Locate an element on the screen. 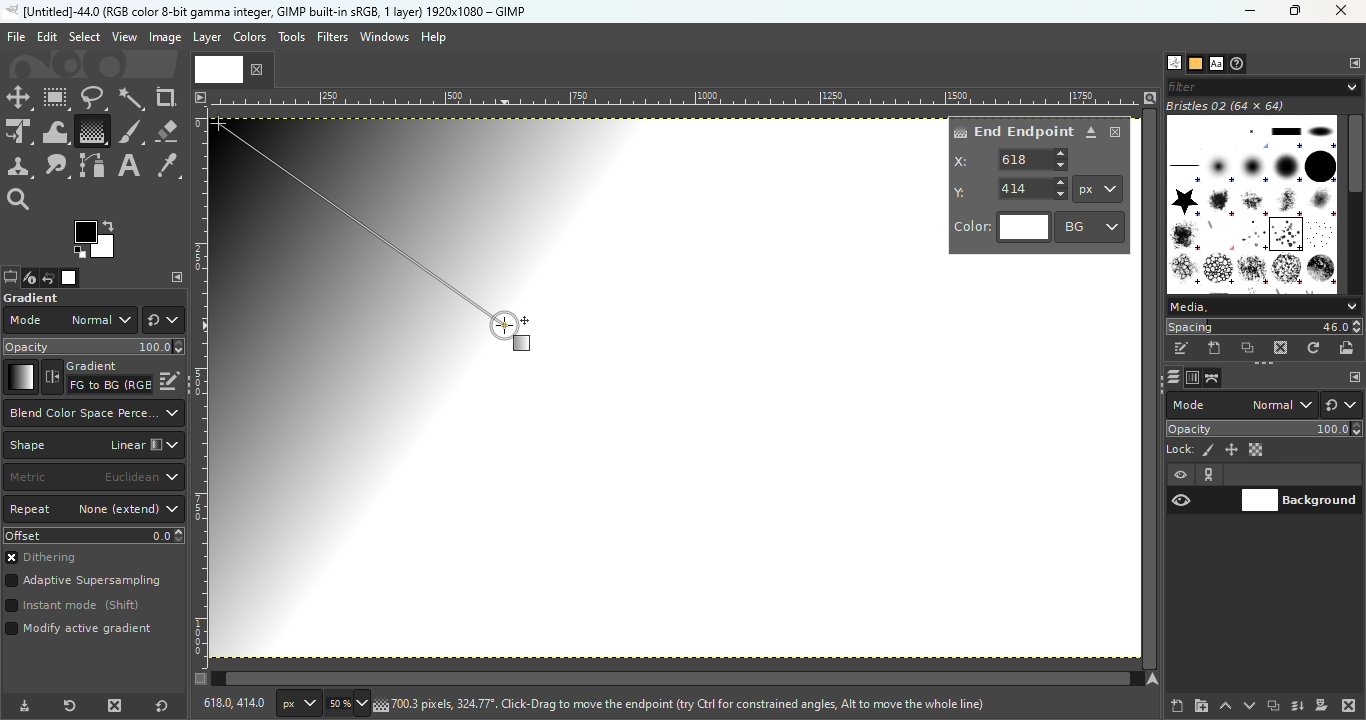  Background color is located at coordinates (1091, 226).